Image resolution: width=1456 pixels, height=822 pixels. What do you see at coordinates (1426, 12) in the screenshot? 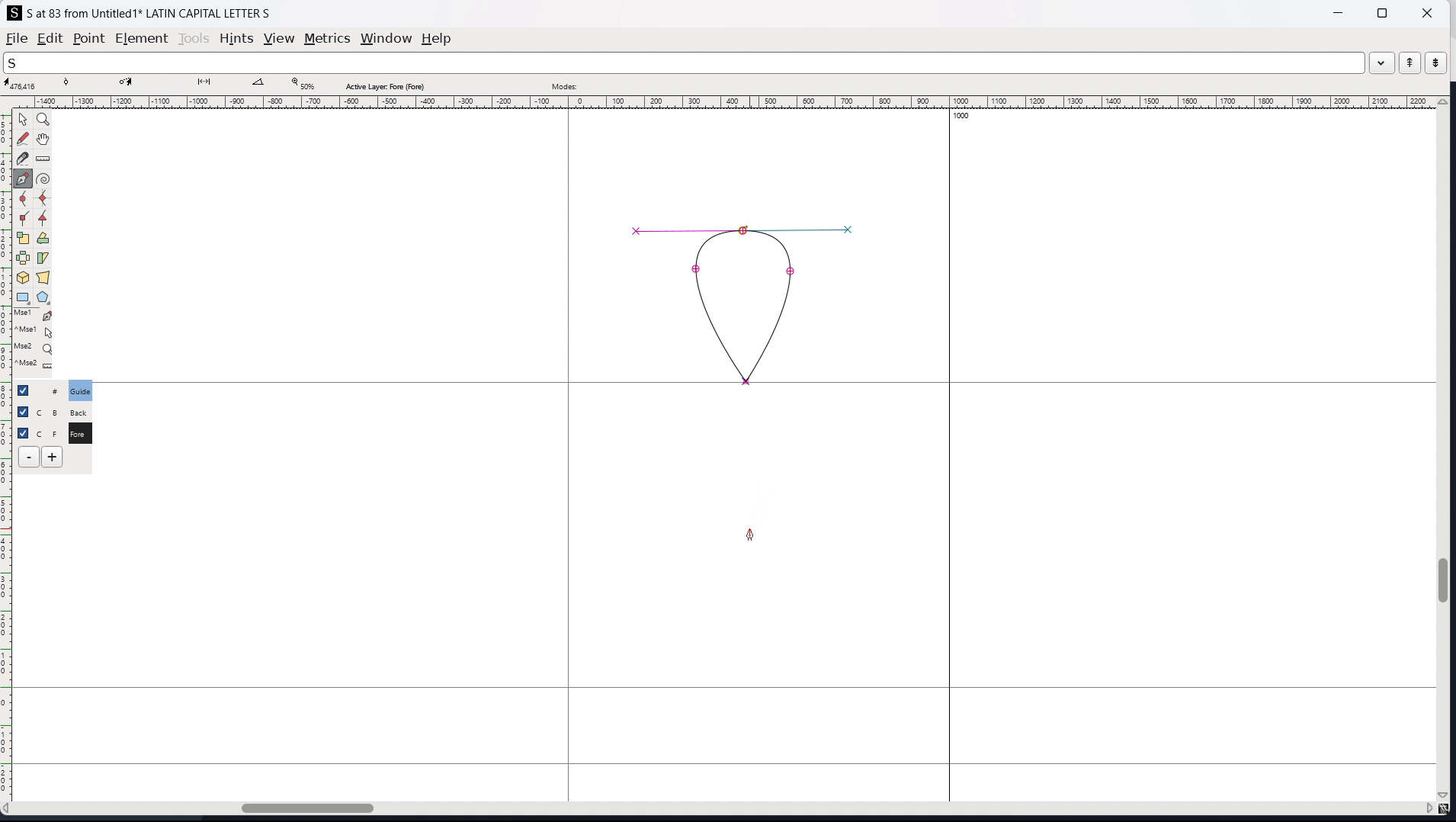
I see `close` at bounding box center [1426, 12].